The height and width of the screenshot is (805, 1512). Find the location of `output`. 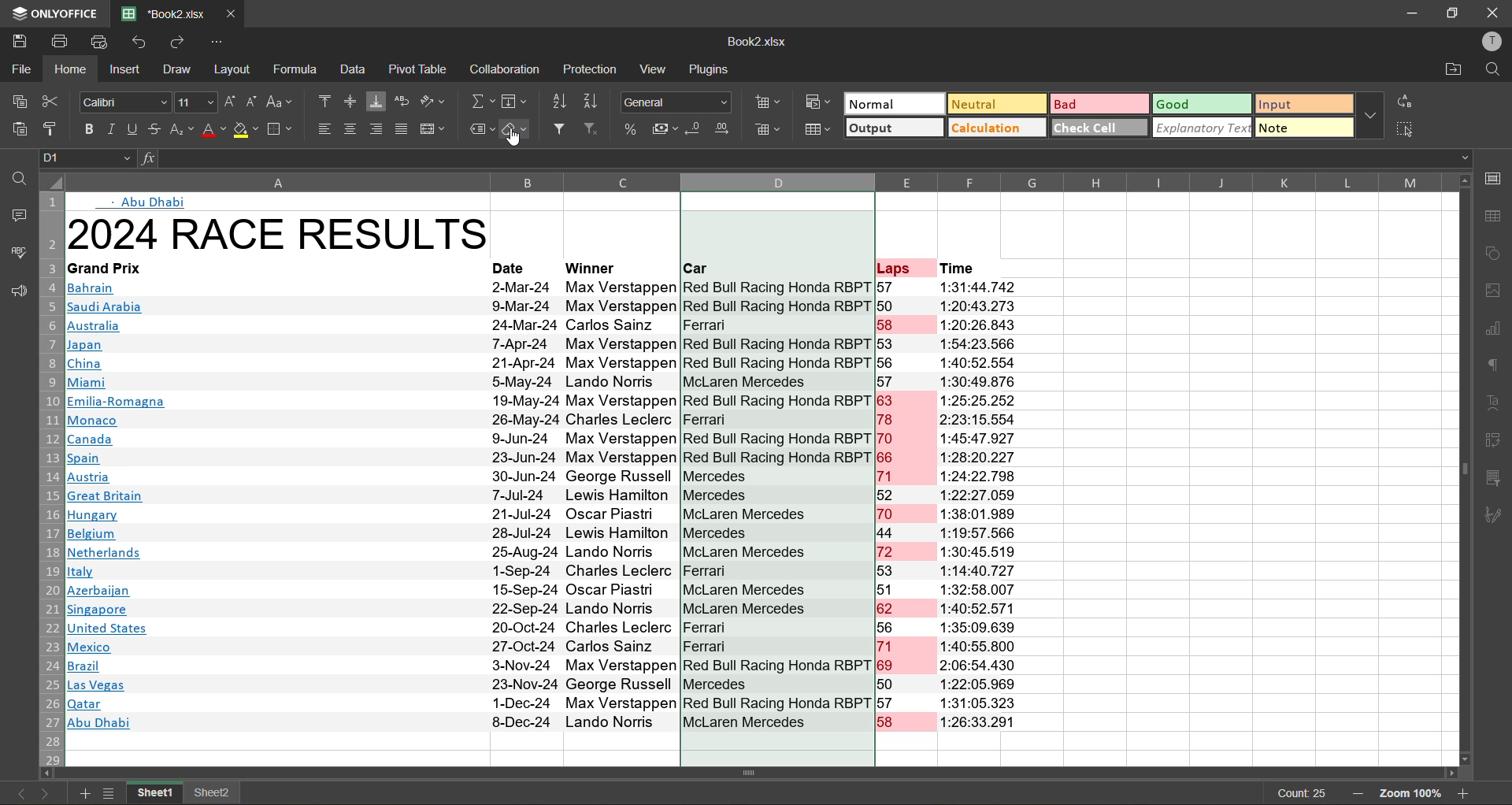

output is located at coordinates (893, 128).